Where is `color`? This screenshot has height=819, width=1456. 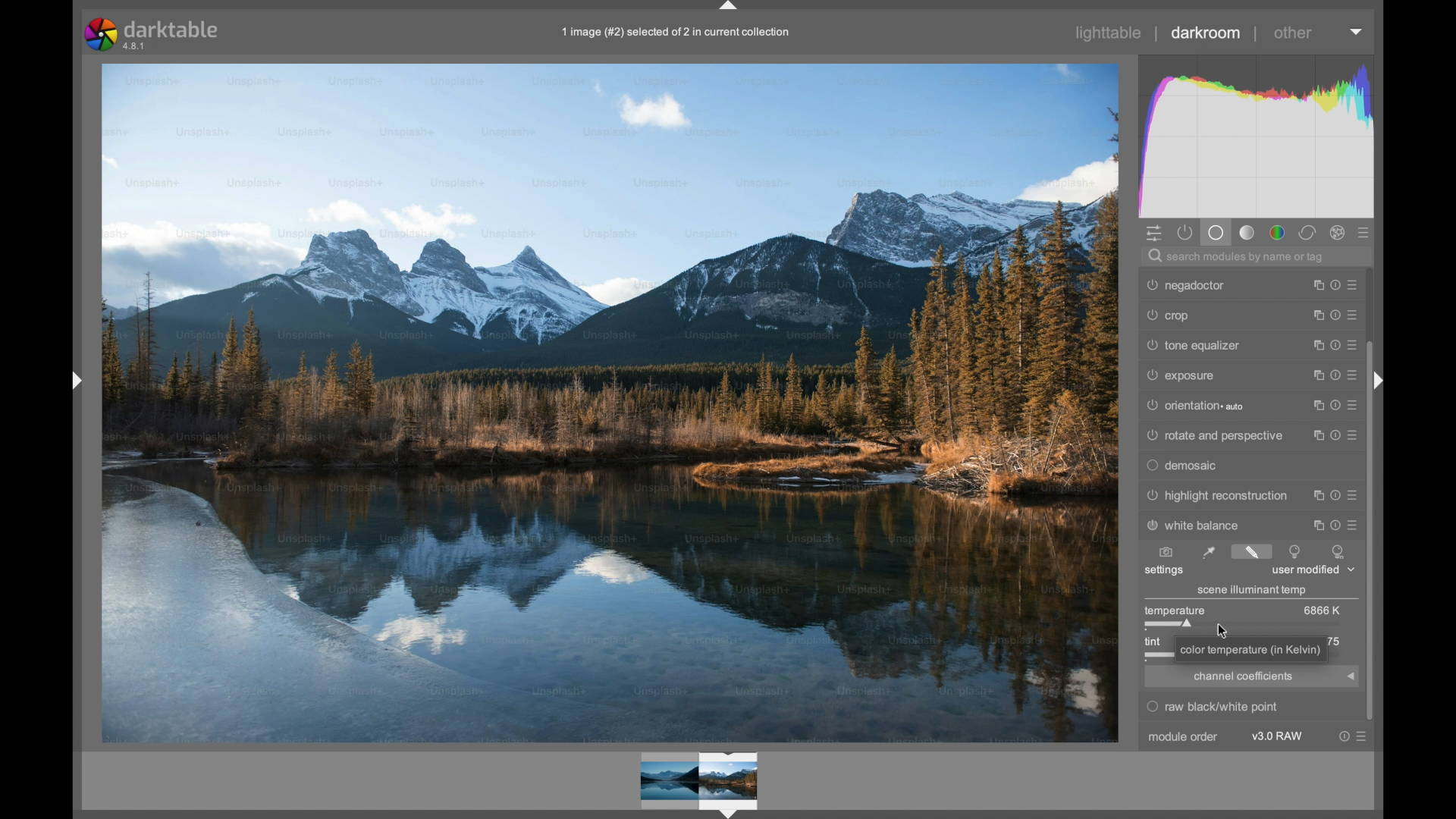
color is located at coordinates (1279, 233).